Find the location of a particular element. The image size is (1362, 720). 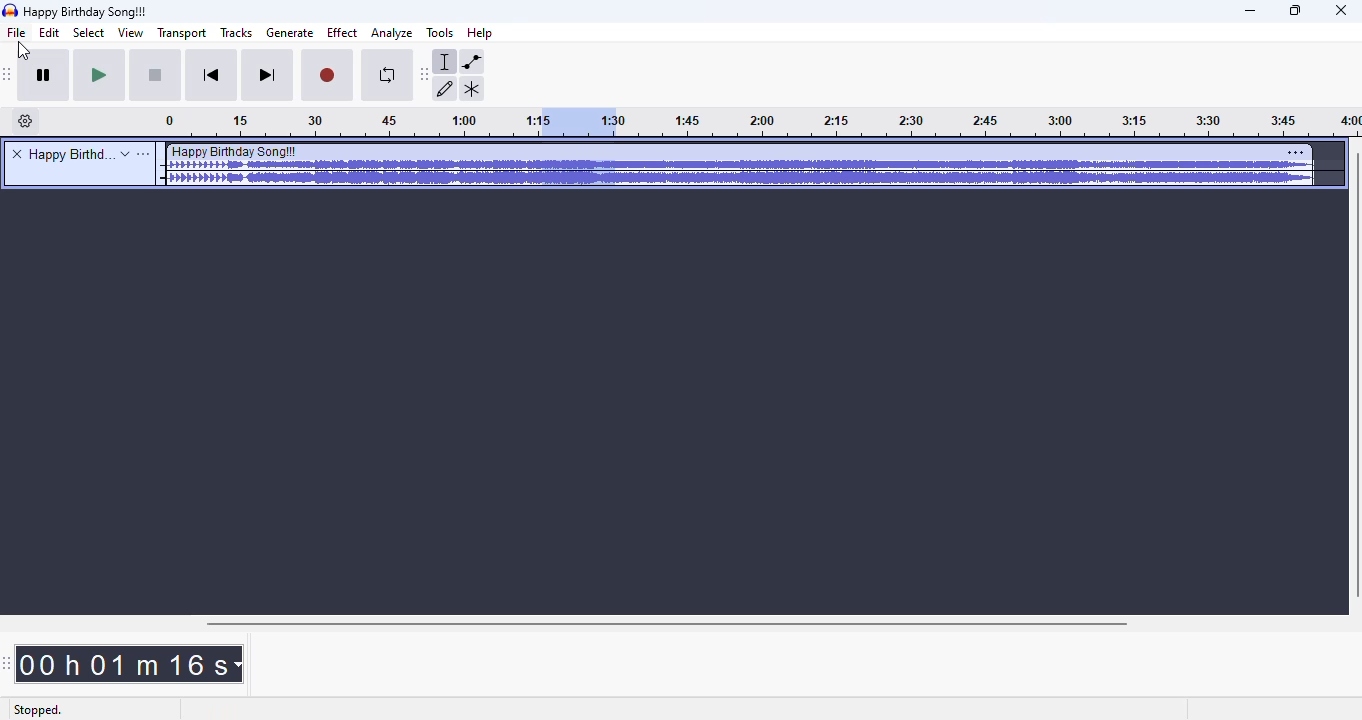

effect is located at coordinates (342, 33).